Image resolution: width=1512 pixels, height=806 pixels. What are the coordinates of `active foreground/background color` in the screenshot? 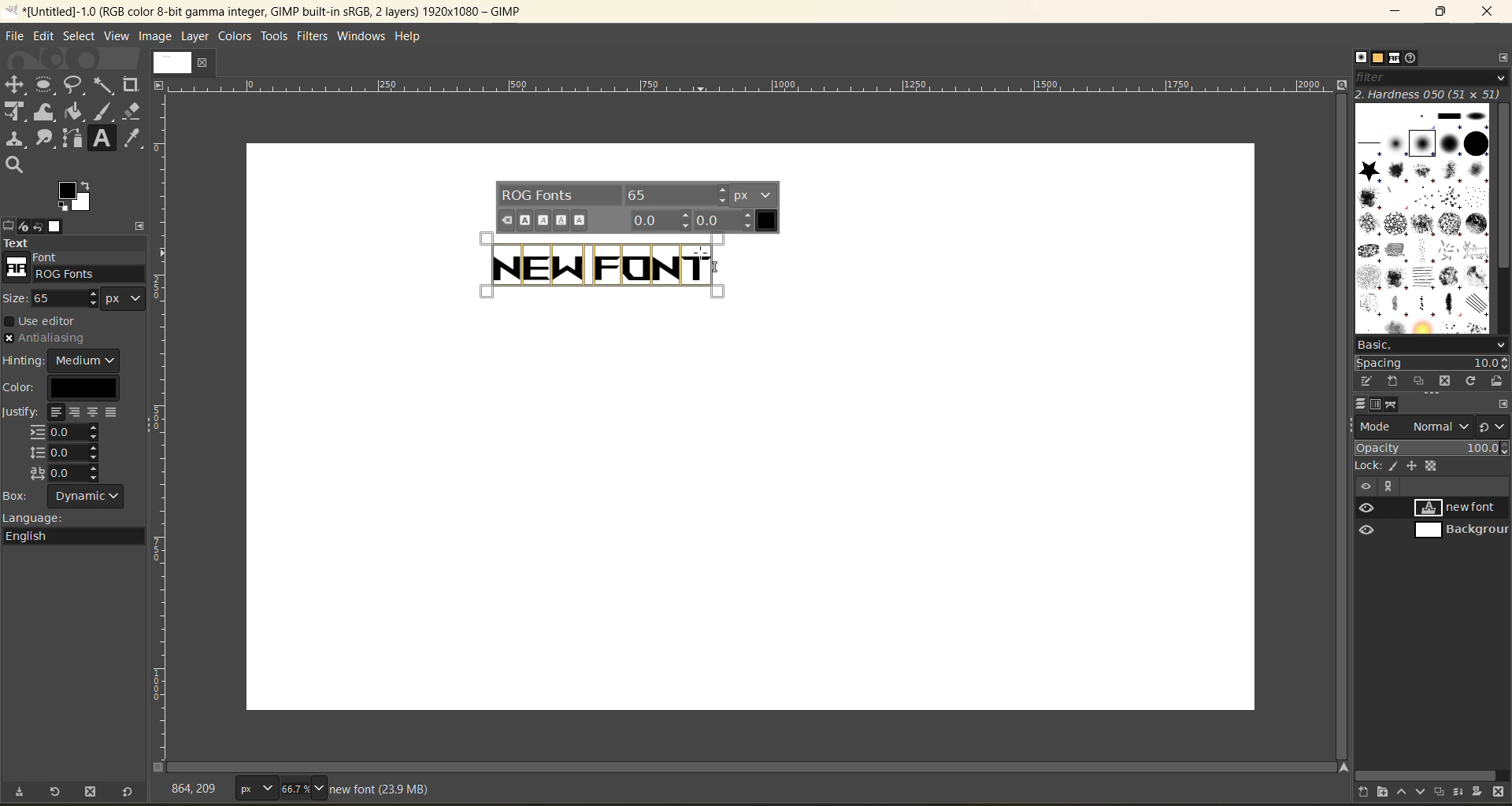 It's located at (78, 198).